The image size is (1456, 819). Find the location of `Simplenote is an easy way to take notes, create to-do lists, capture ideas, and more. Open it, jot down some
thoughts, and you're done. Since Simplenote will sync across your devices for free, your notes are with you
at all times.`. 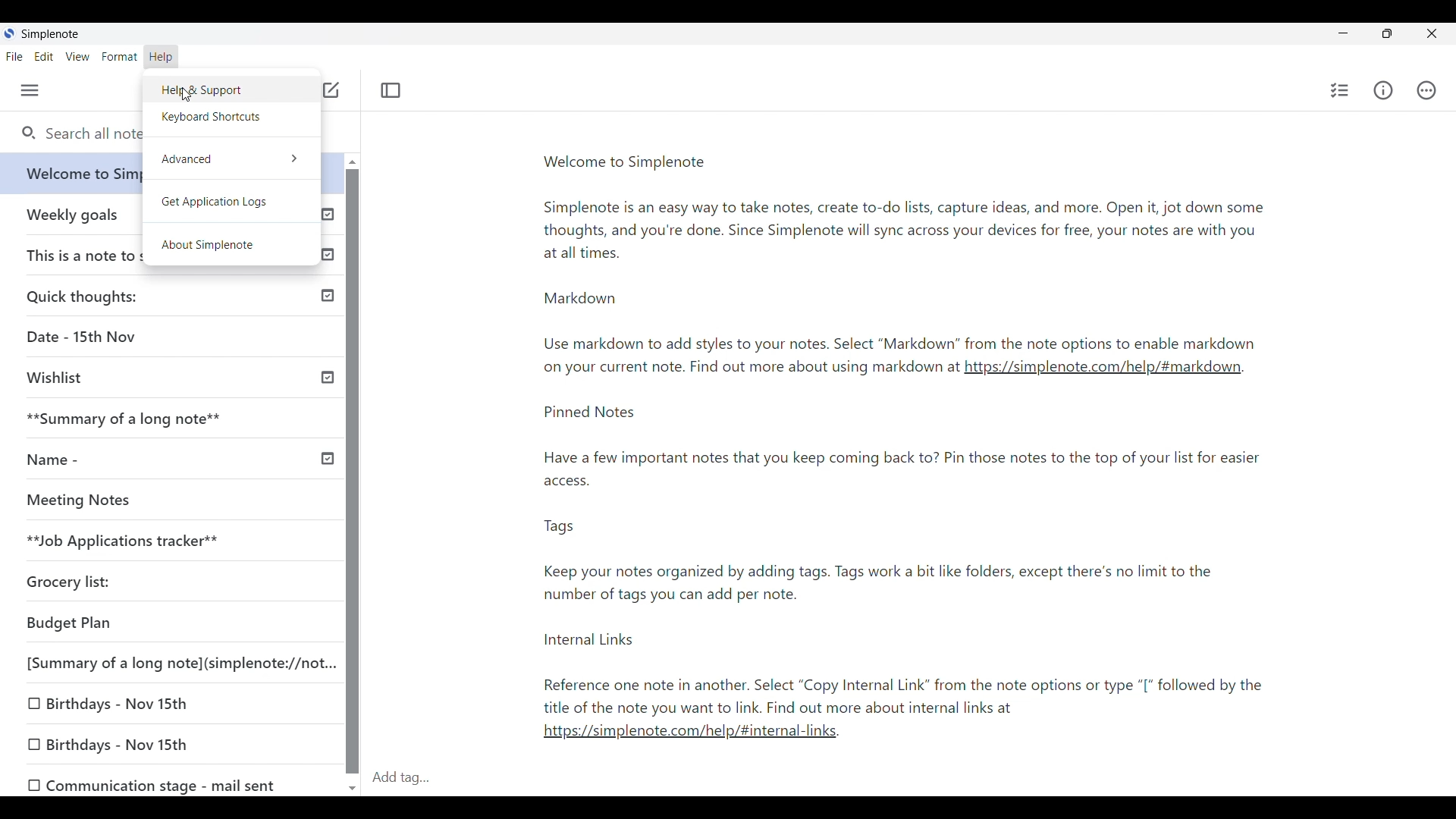

Simplenote is an easy way to take notes, create to-do lists, capture ideas, and more. Open it, jot down some
thoughts, and you're done. Since Simplenote will sync across your devices for free, your notes are with you
at all times. is located at coordinates (905, 233).